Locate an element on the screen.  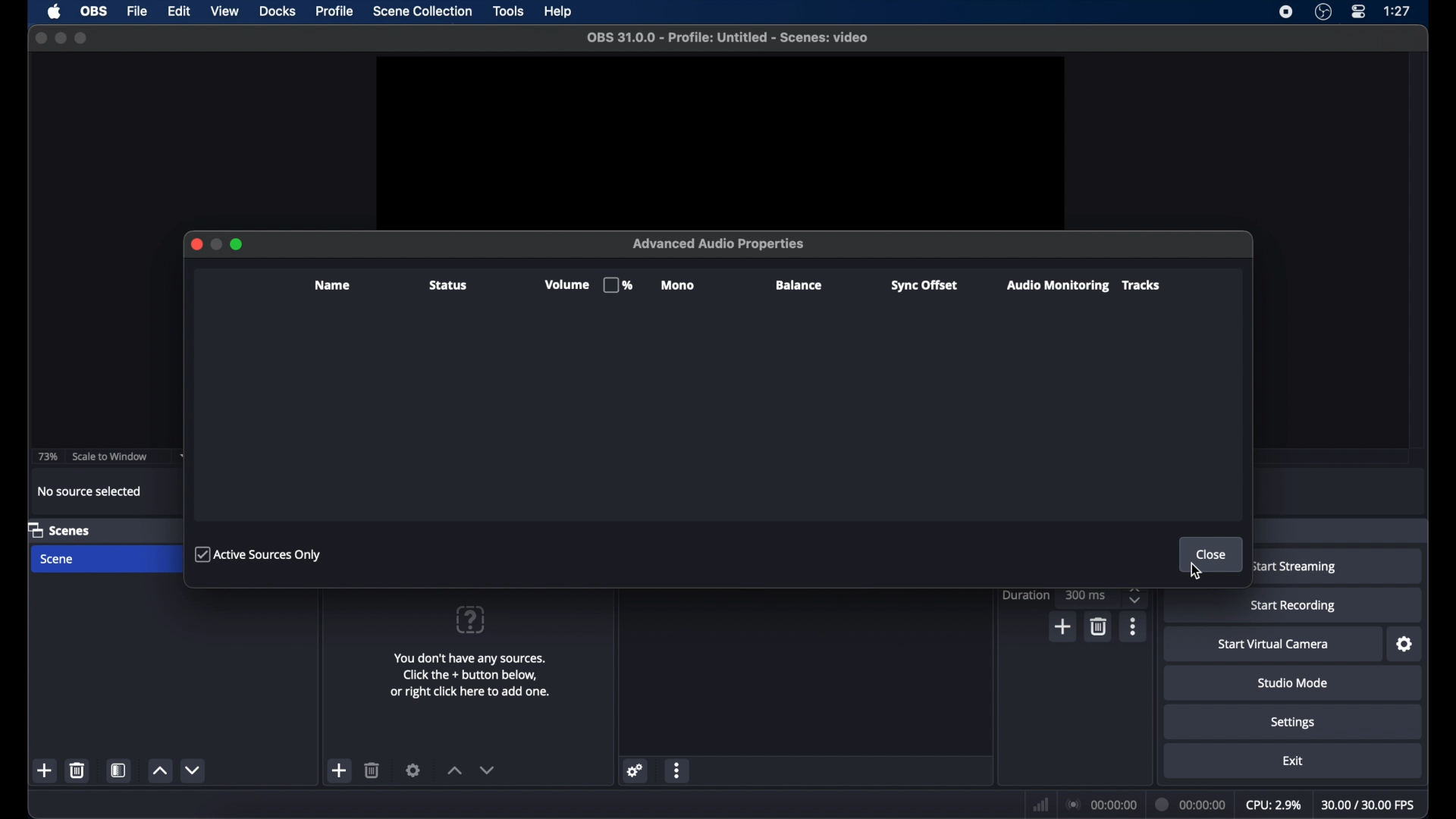
file name is located at coordinates (730, 38).